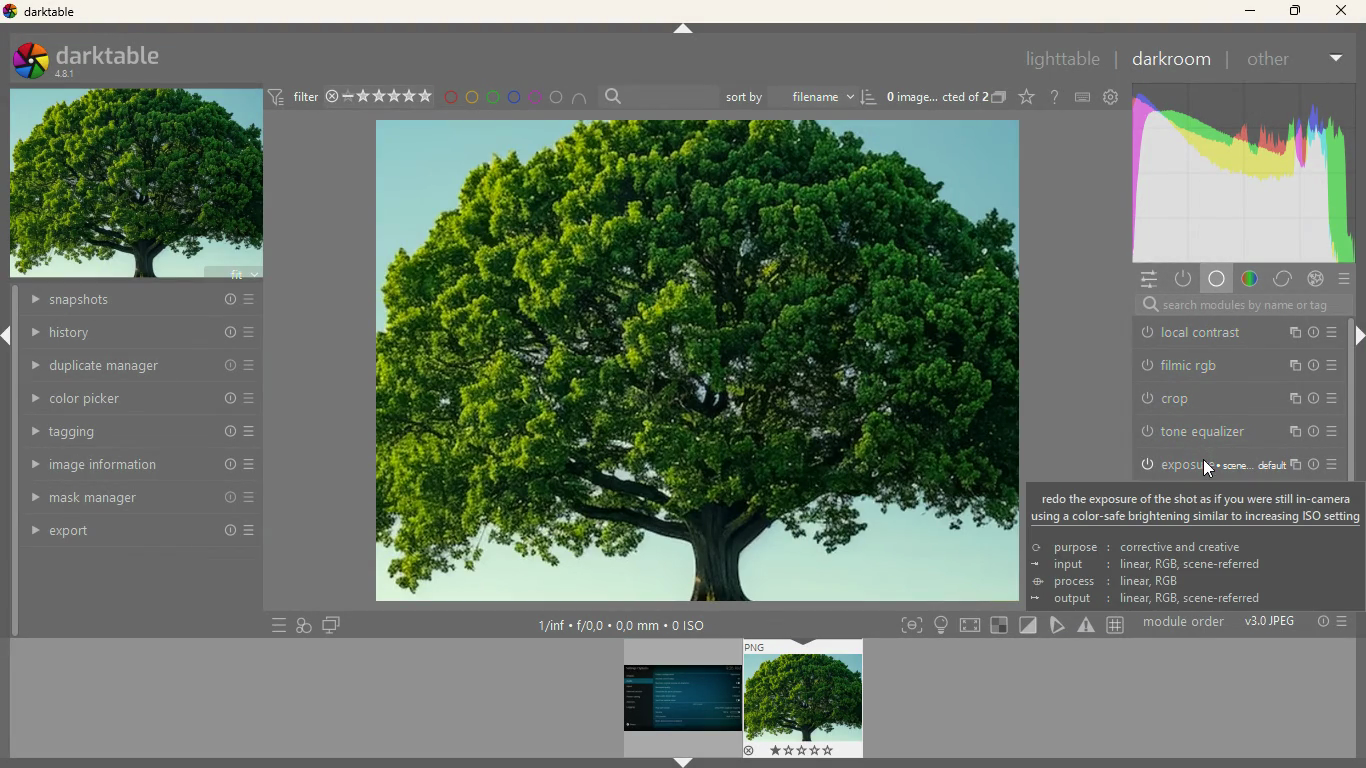  I want to click on color picker, so click(143, 398).